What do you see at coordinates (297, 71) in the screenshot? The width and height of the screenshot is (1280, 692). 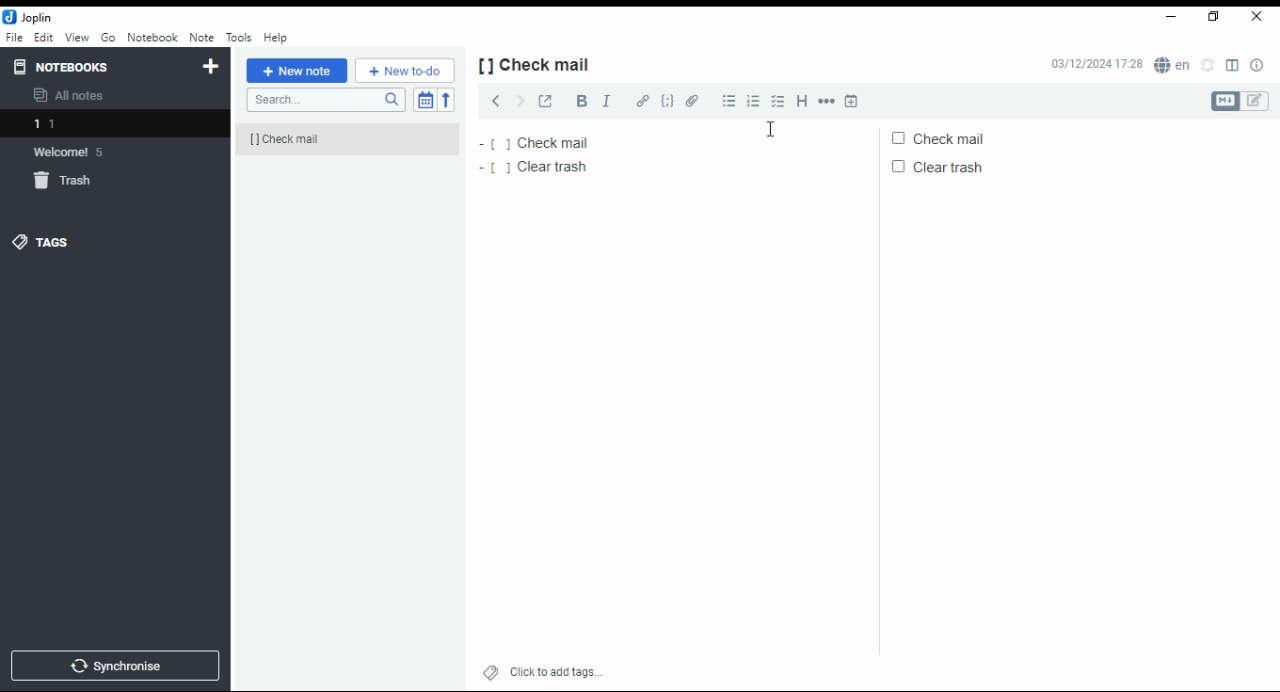 I see `new note` at bounding box center [297, 71].